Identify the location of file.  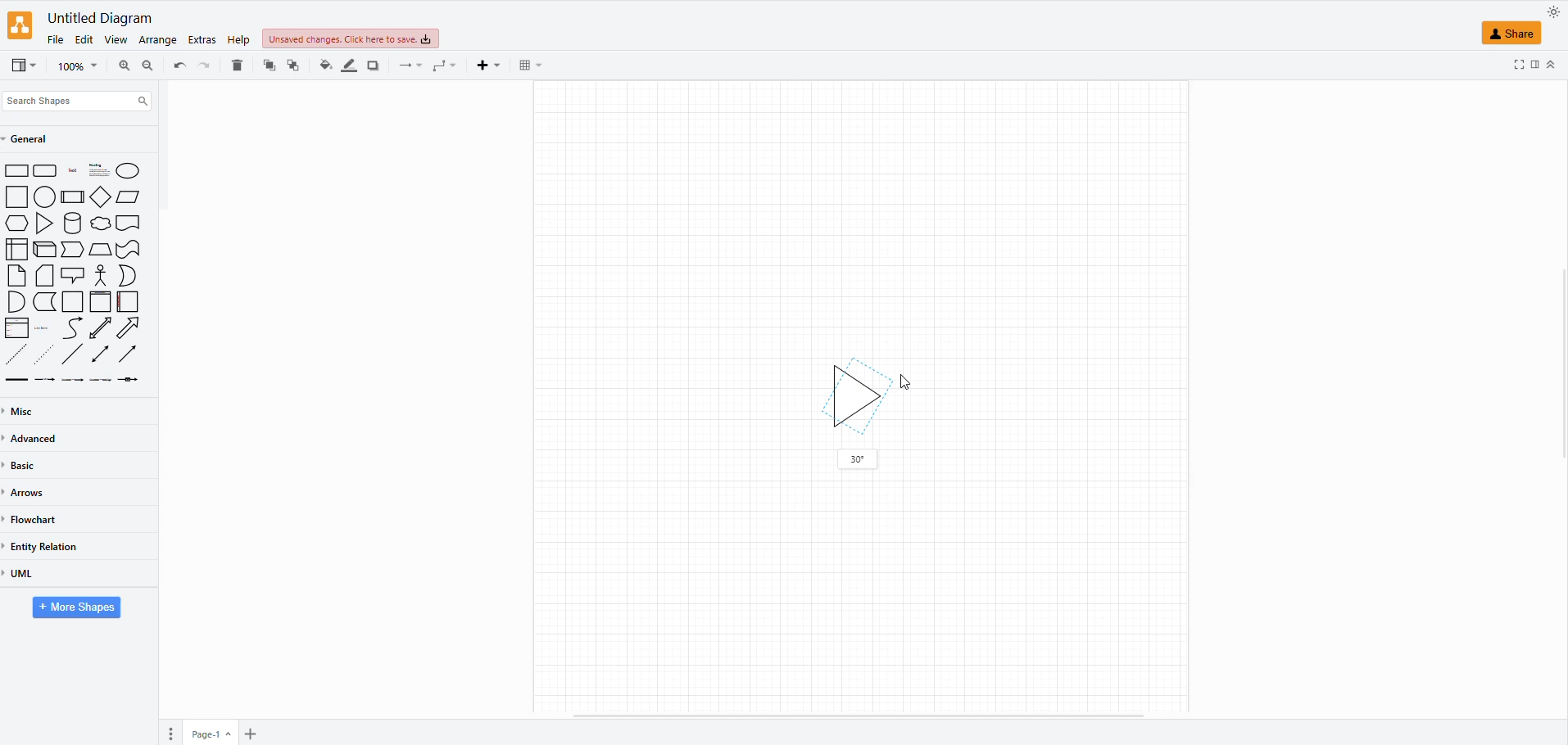
(54, 38).